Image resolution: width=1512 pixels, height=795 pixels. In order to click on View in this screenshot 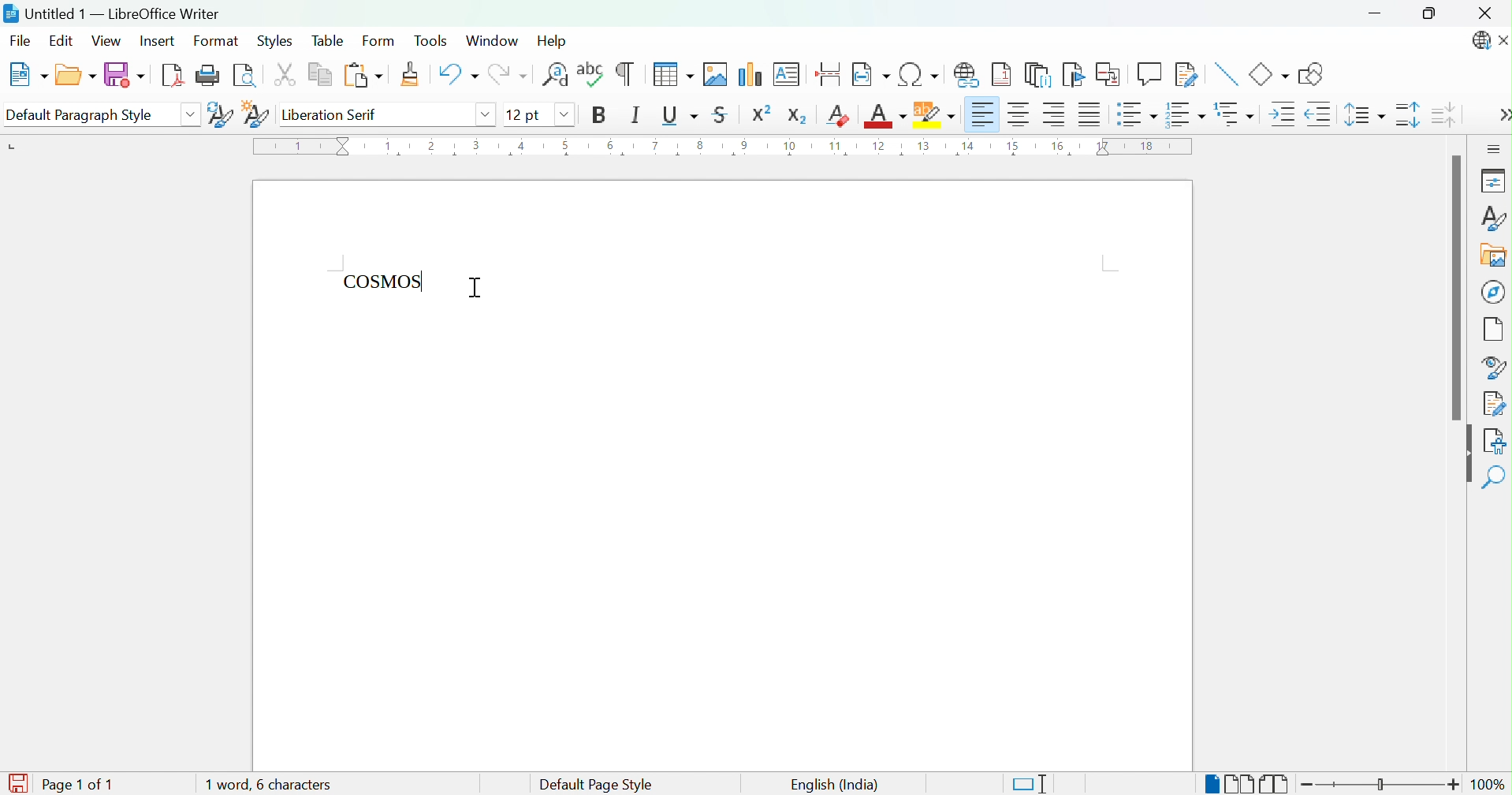, I will do `click(107, 42)`.